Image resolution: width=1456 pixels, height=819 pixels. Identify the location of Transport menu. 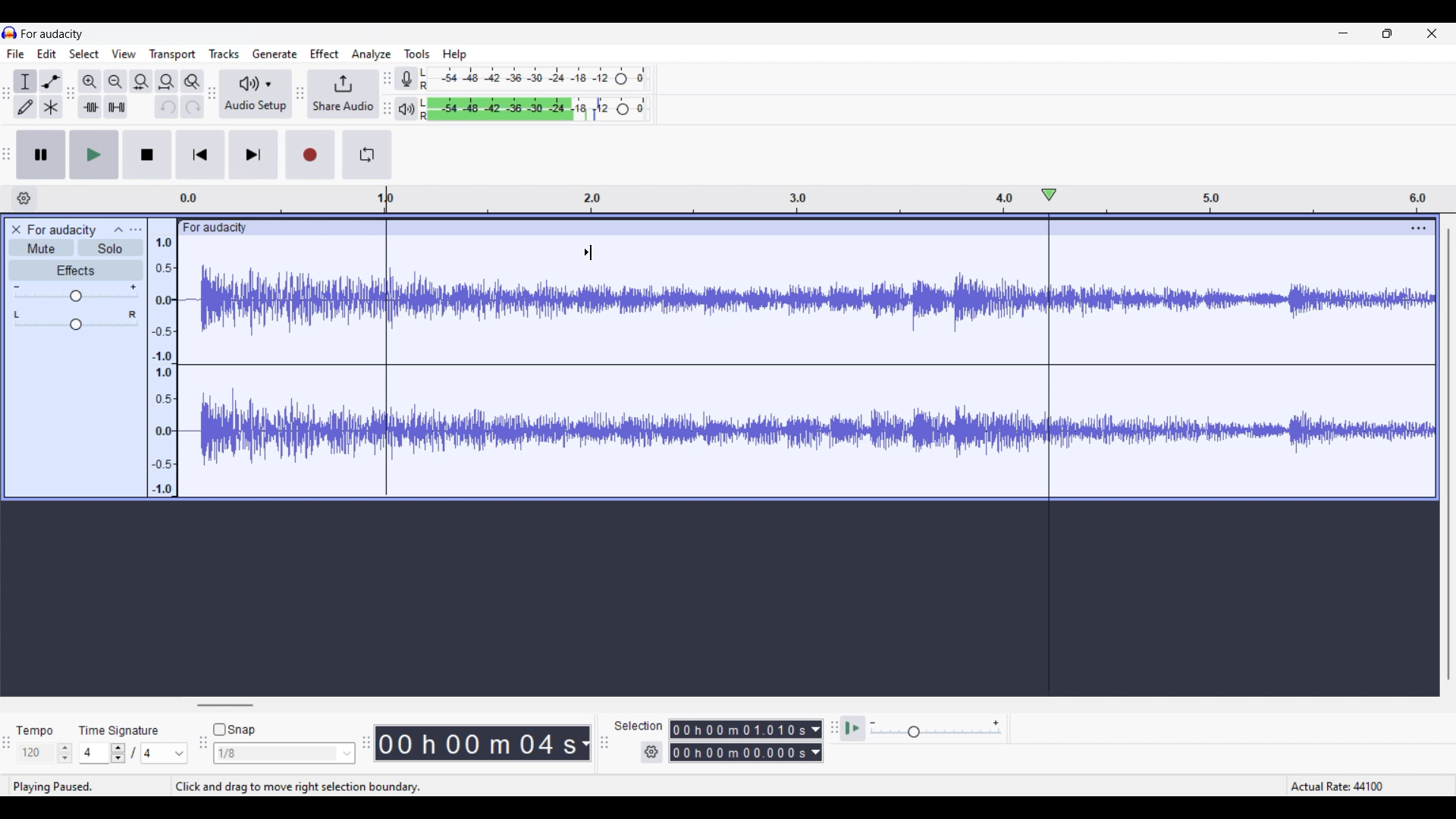
(173, 55).